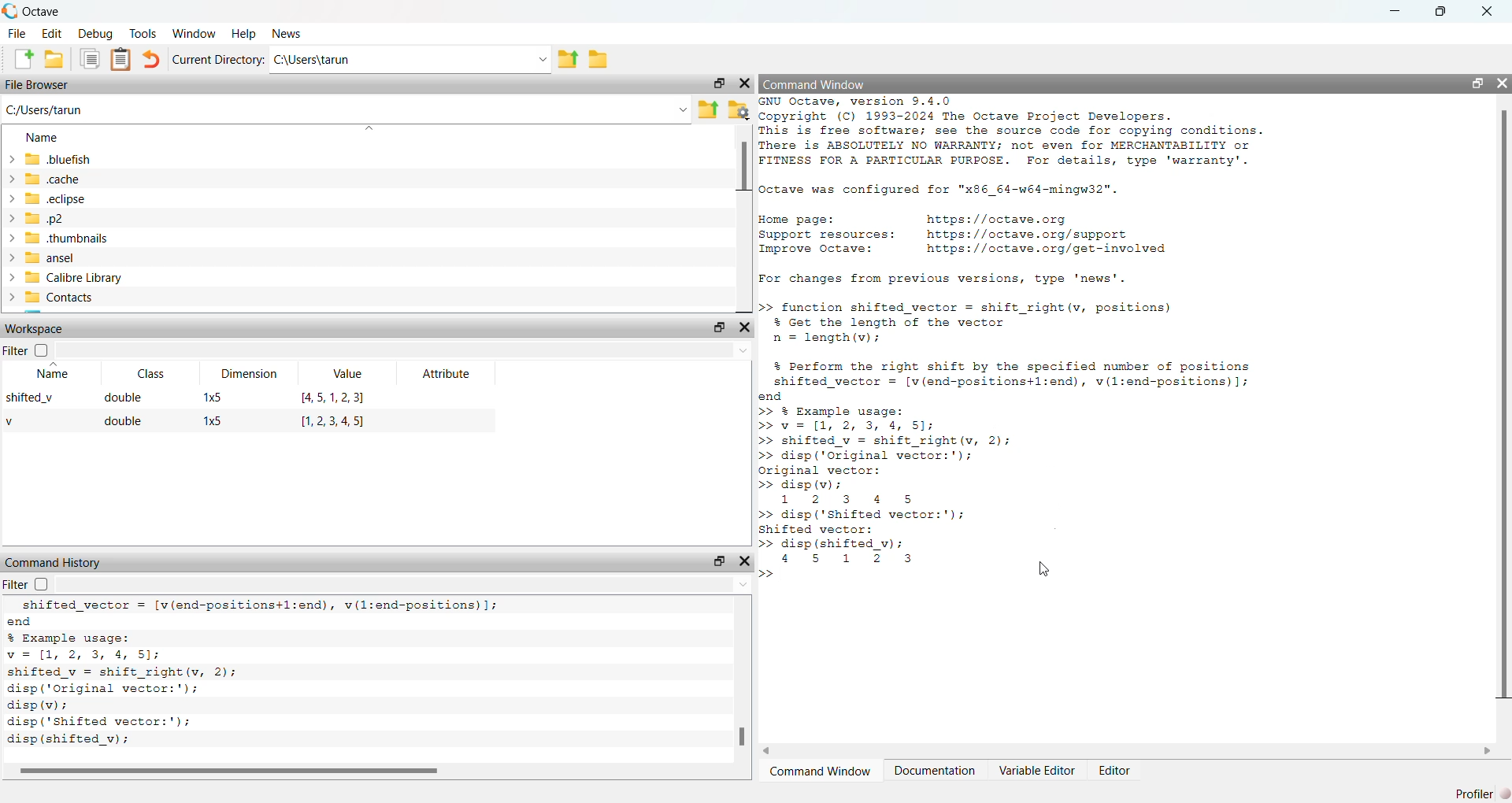 This screenshot has height=803, width=1512. What do you see at coordinates (219, 60) in the screenshot?
I see `current directory` at bounding box center [219, 60].